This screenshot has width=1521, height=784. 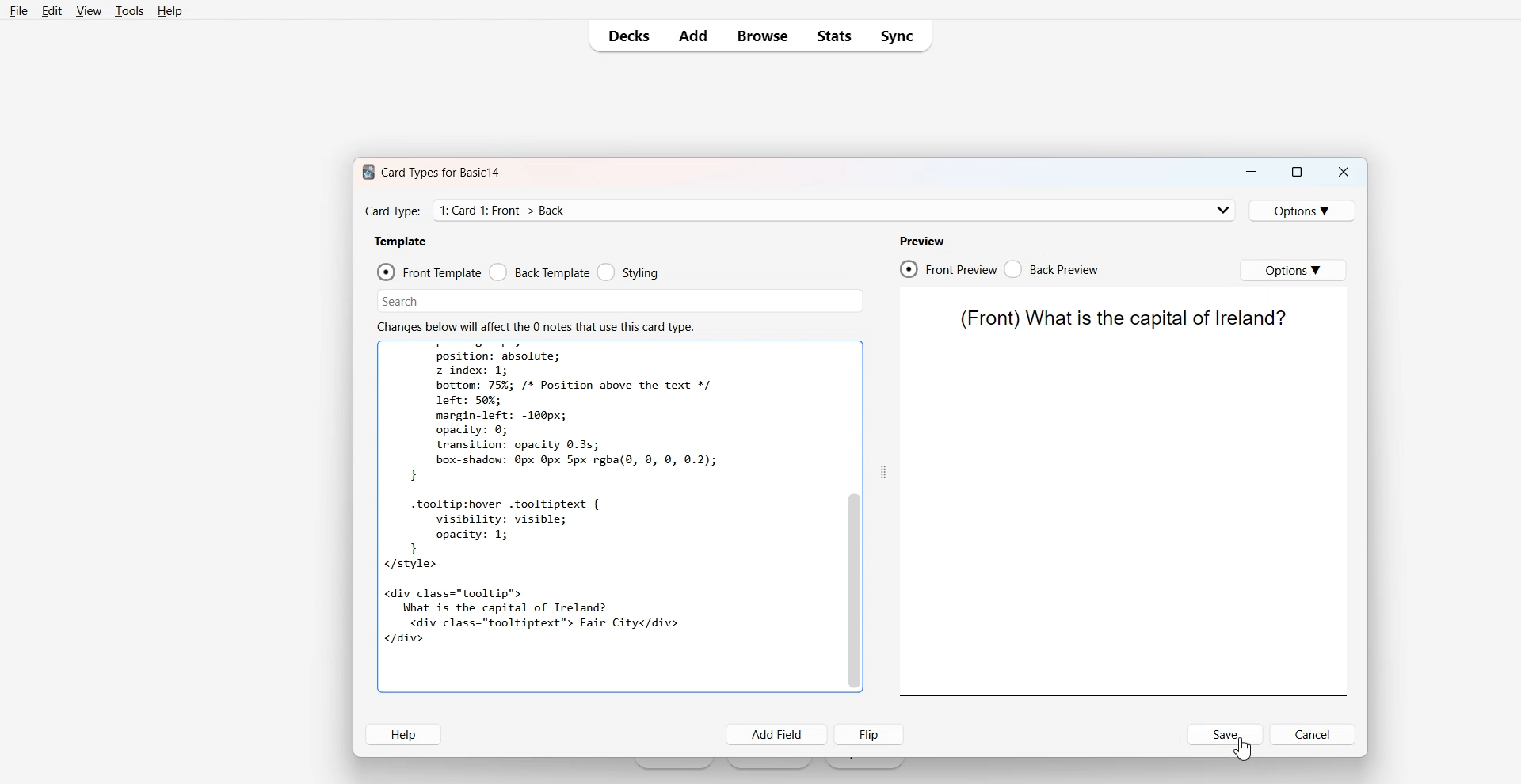 I want to click on Add Field, so click(x=778, y=735).